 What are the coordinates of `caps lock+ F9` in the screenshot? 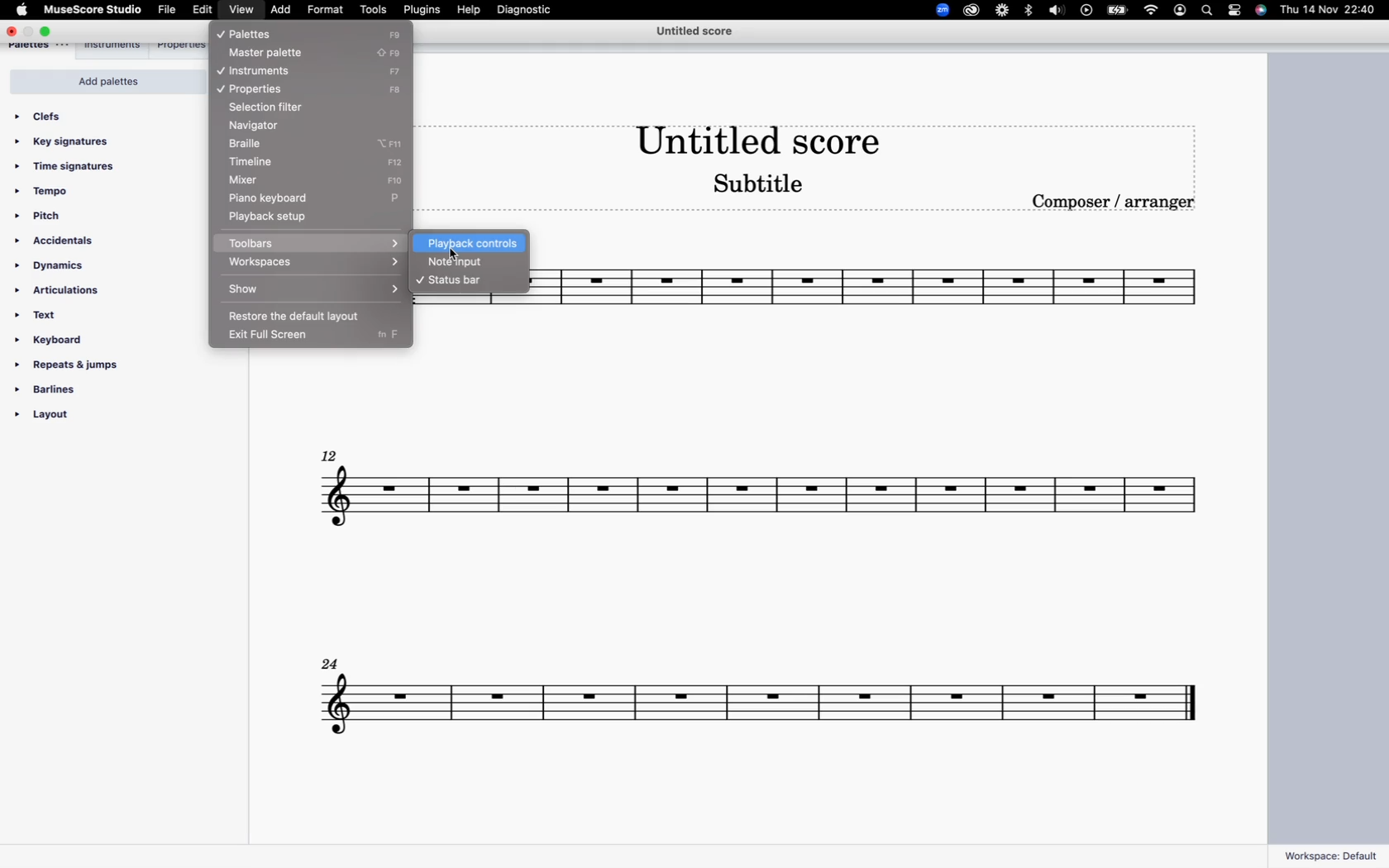 It's located at (395, 51).